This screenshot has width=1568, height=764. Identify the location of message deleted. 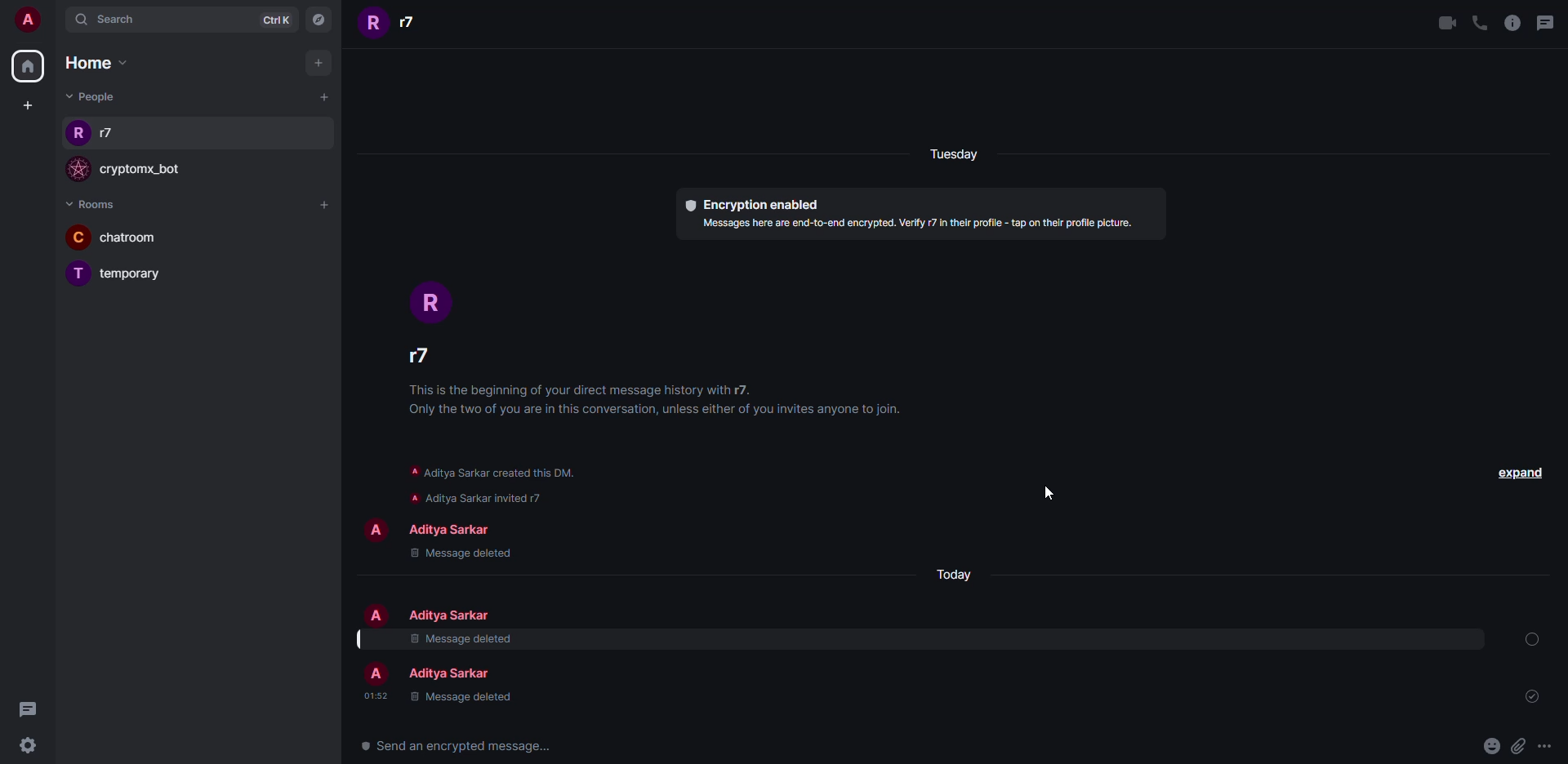
(464, 553).